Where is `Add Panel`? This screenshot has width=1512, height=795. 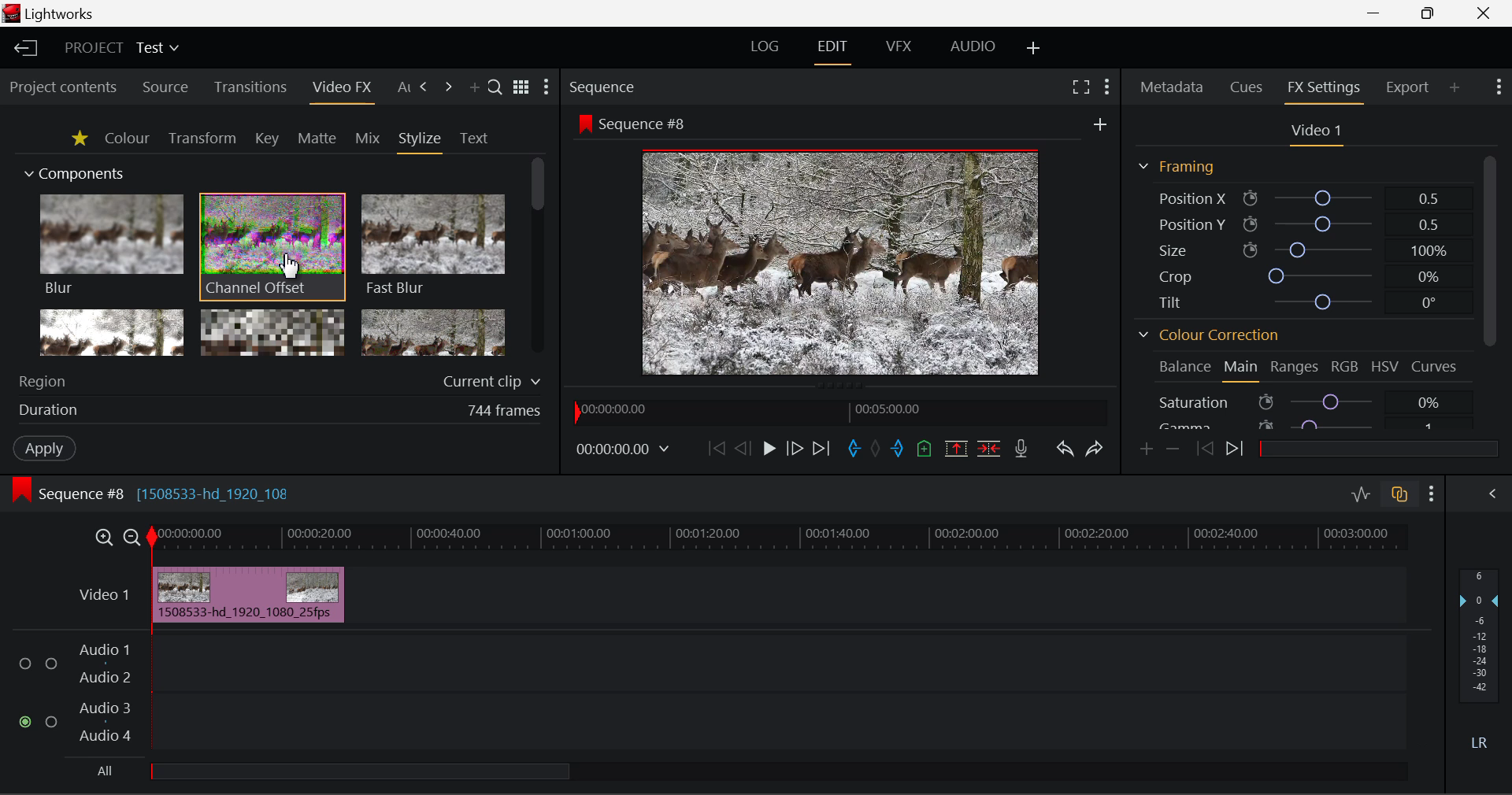
Add Panel is located at coordinates (474, 89).